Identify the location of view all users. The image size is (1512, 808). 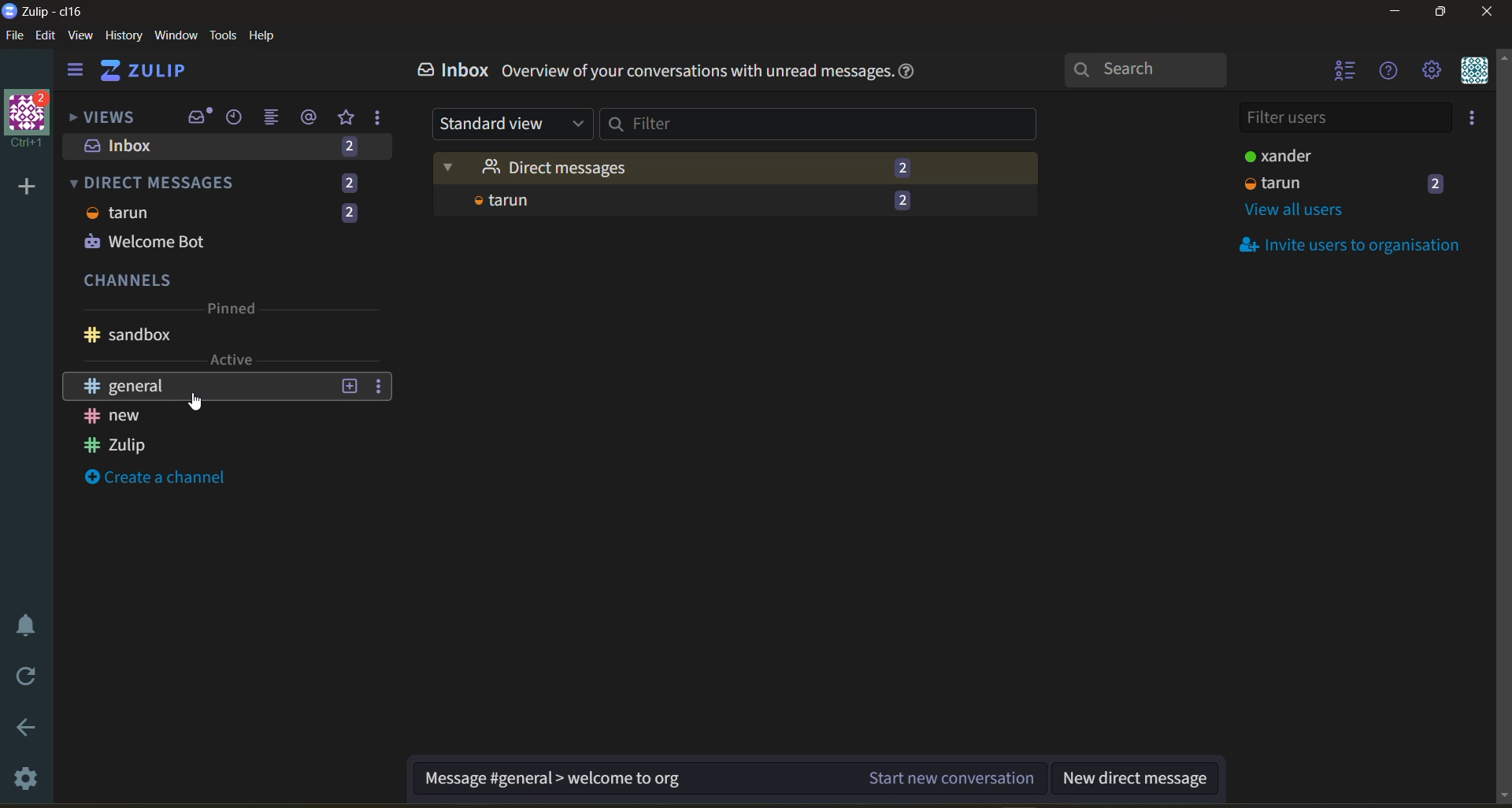
(1311, 206).